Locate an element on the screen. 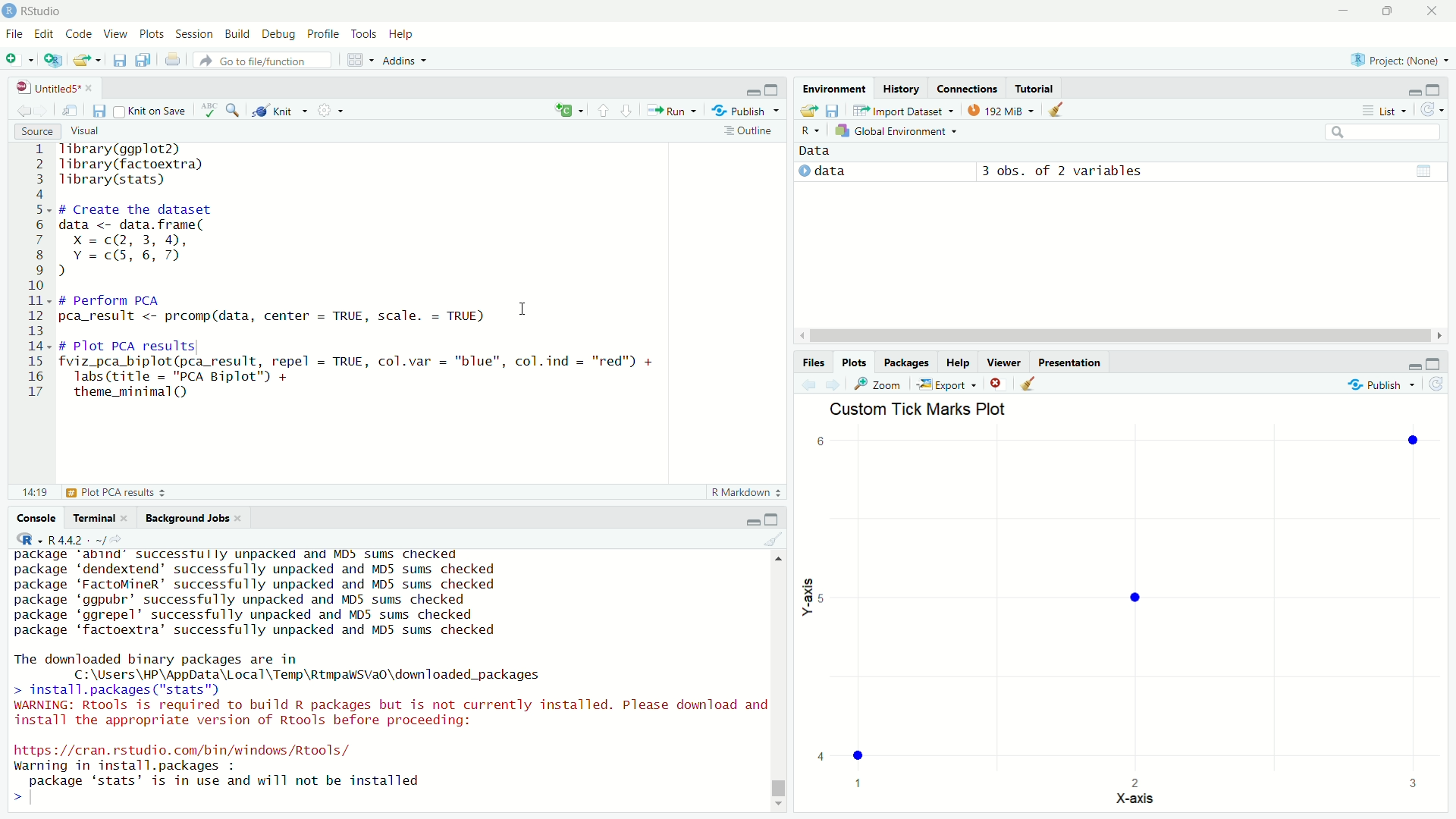 The height and width of the screenshot is (819, 1456). Build is located at coordinates (238, 35).